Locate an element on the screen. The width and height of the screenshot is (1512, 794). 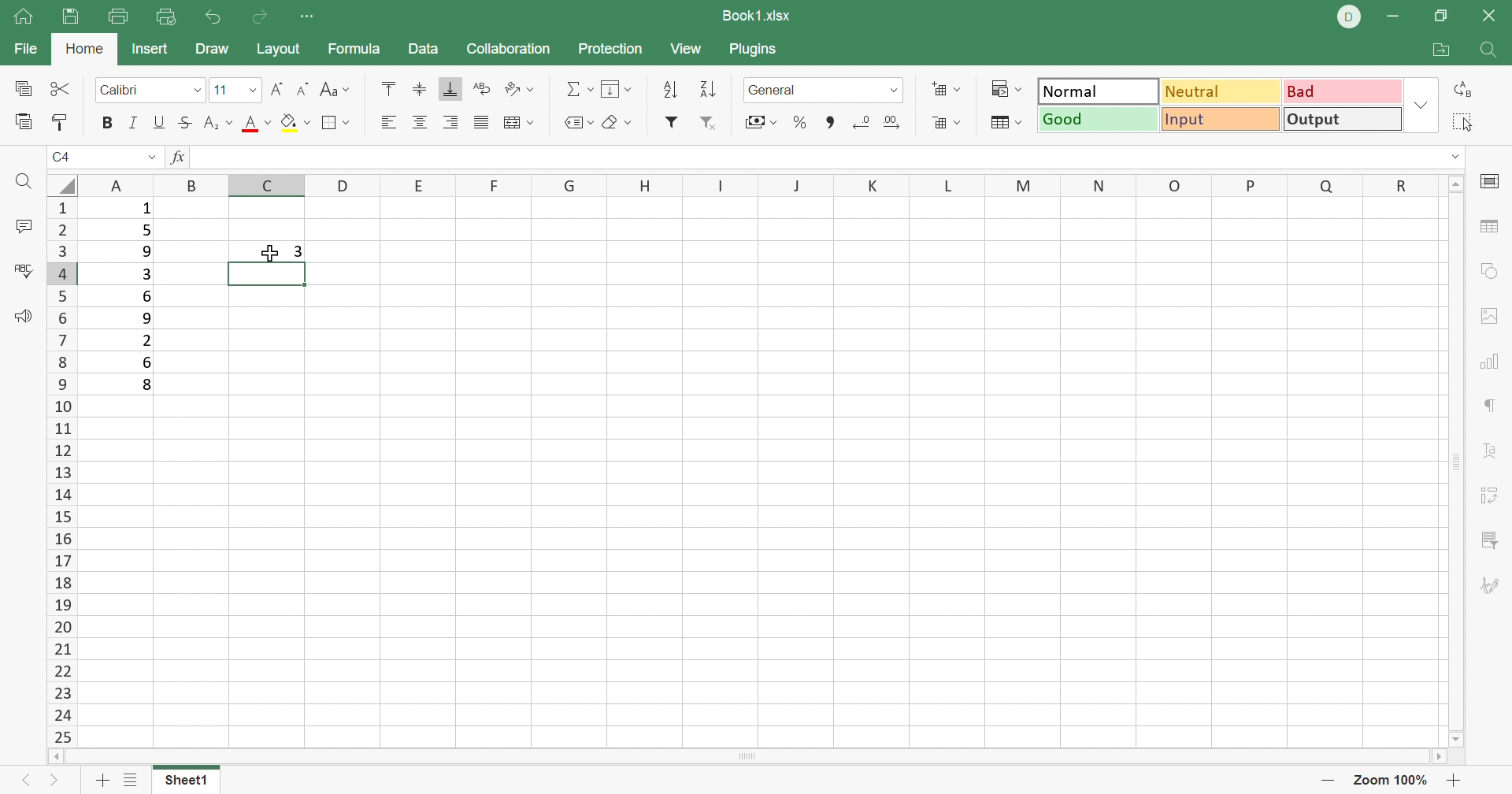
Delete cells is located at coordinates (946, 123).